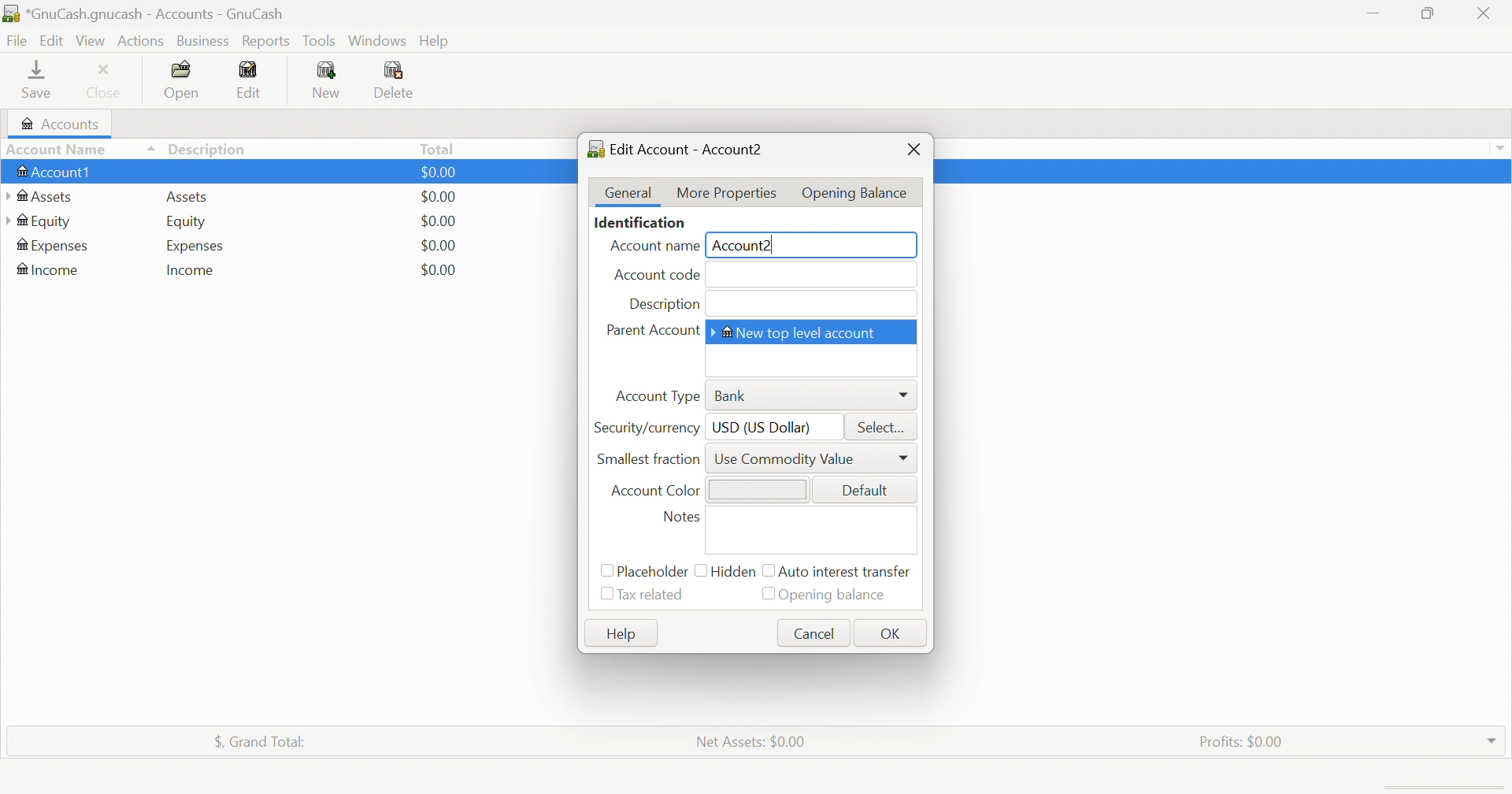 The height and width of the screenshot is (794, 1512). I want to click on Drop Down, so click(1503, 150).